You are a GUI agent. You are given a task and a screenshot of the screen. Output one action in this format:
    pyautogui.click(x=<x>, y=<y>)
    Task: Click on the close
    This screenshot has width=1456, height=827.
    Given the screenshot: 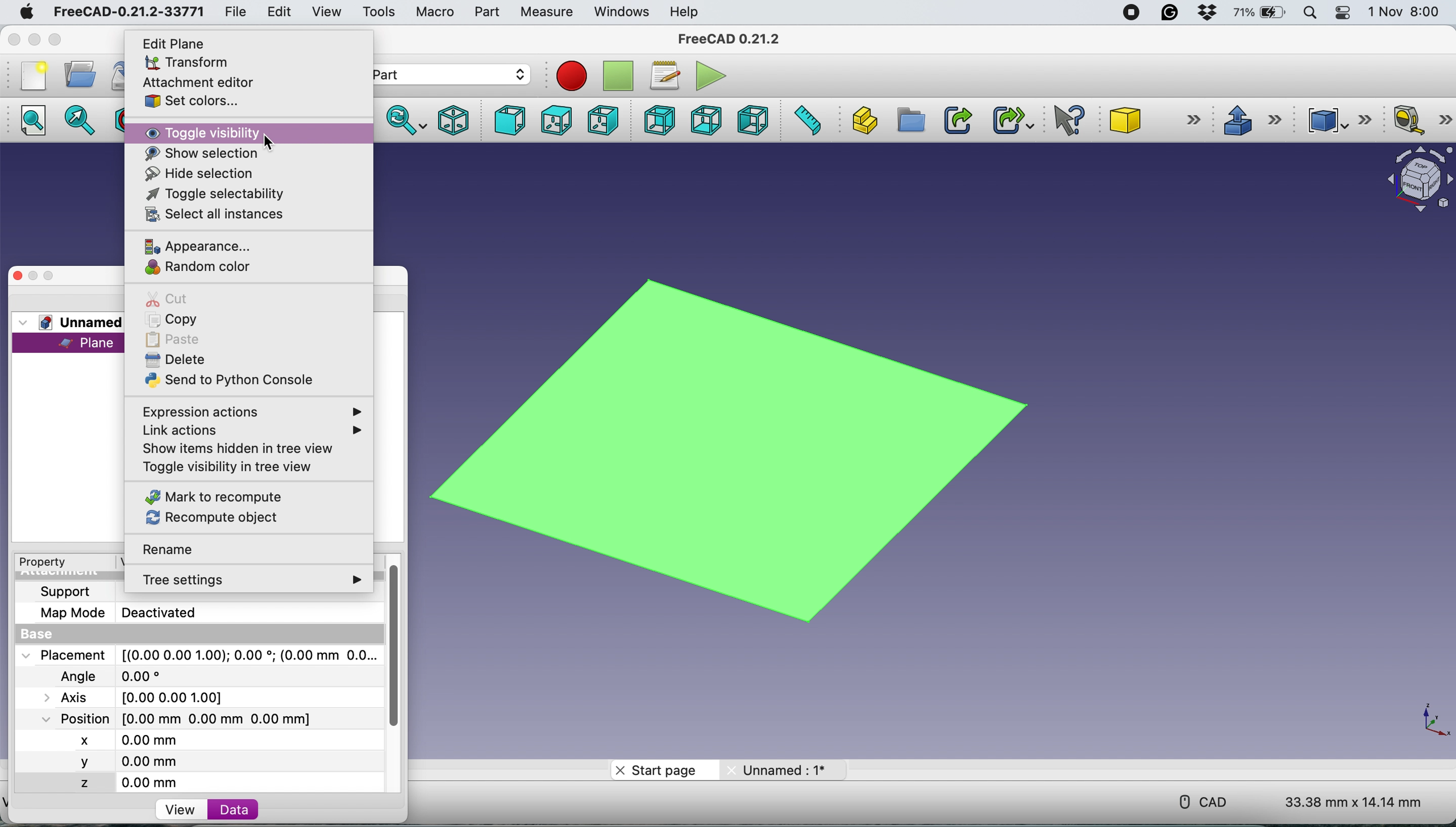 What is the action you would take?
    pyautogui.click(x=14, y=39)
    